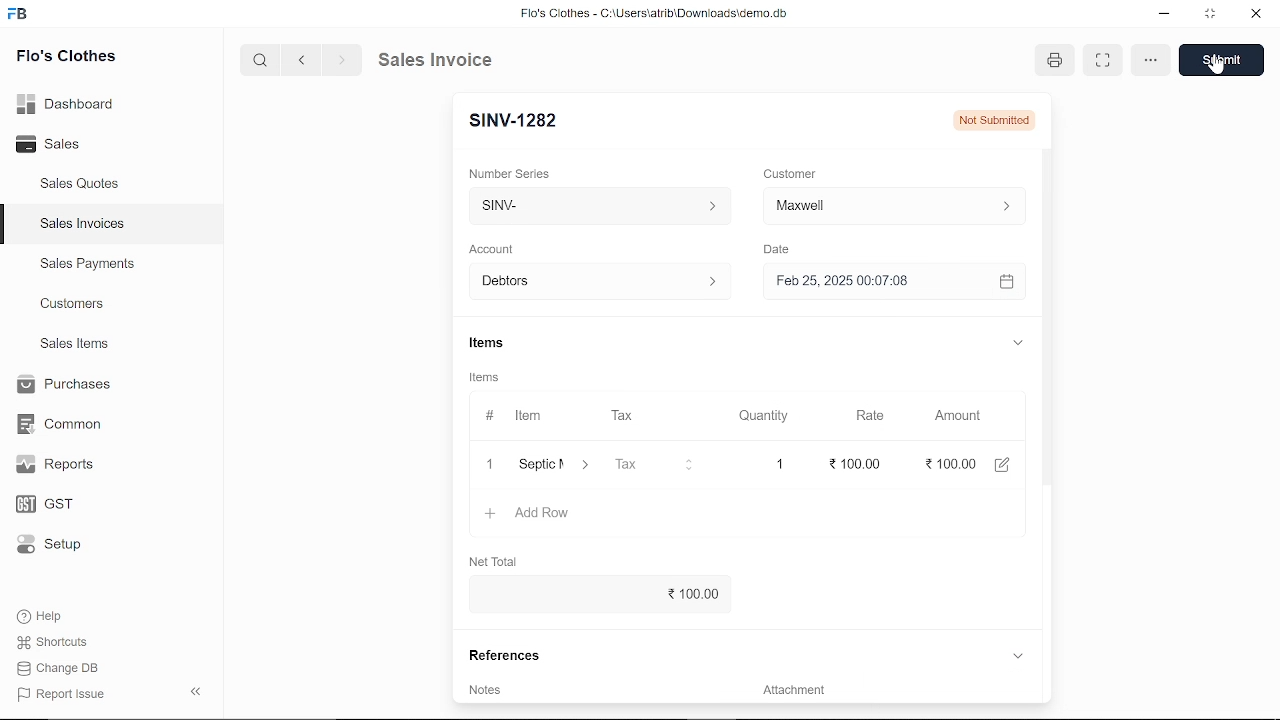 The image size is (1280, 720). Describe the element at coordinates (890, 206) in the screenshot. I see `Insert Customer` at that location.